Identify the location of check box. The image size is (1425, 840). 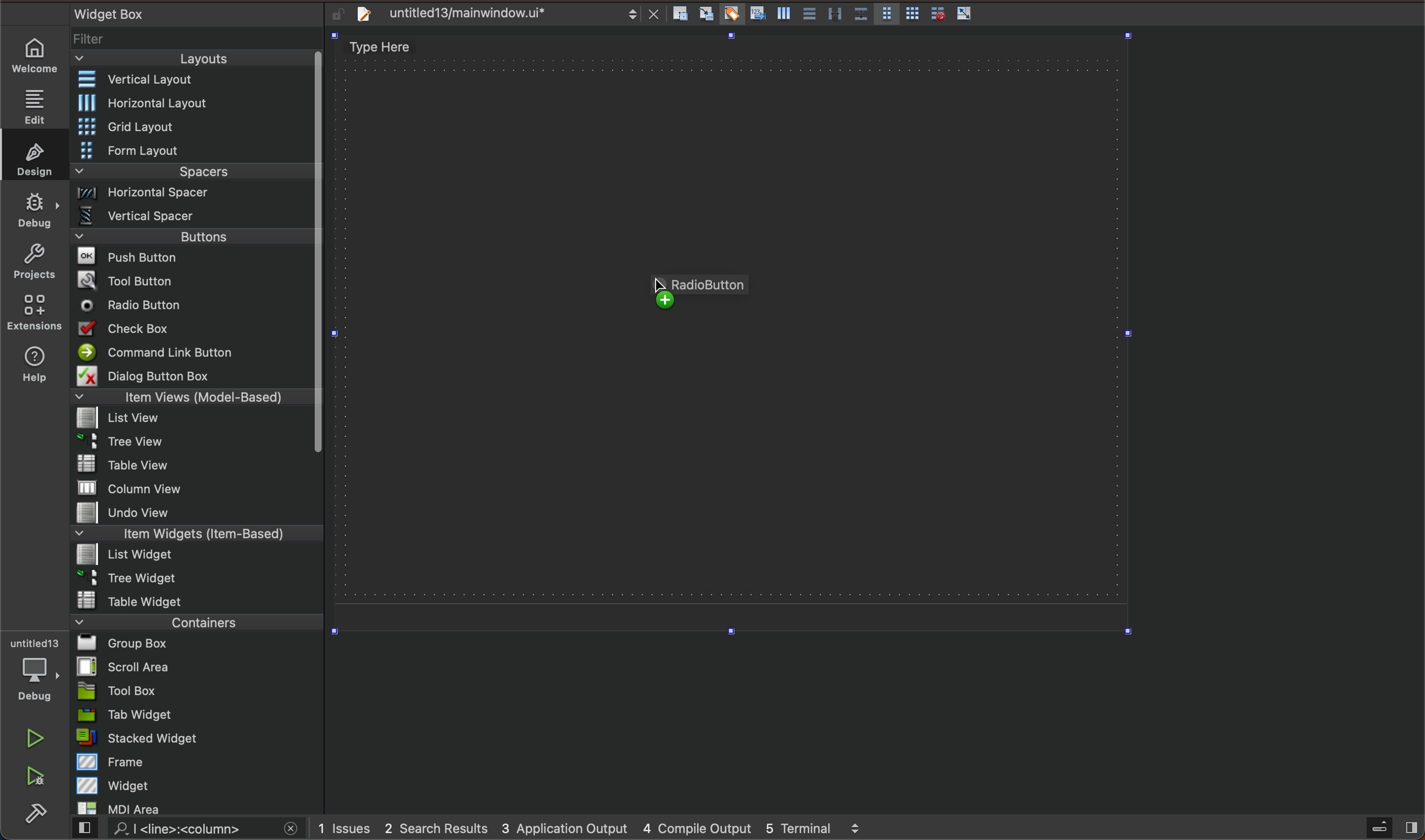
(192, 331).